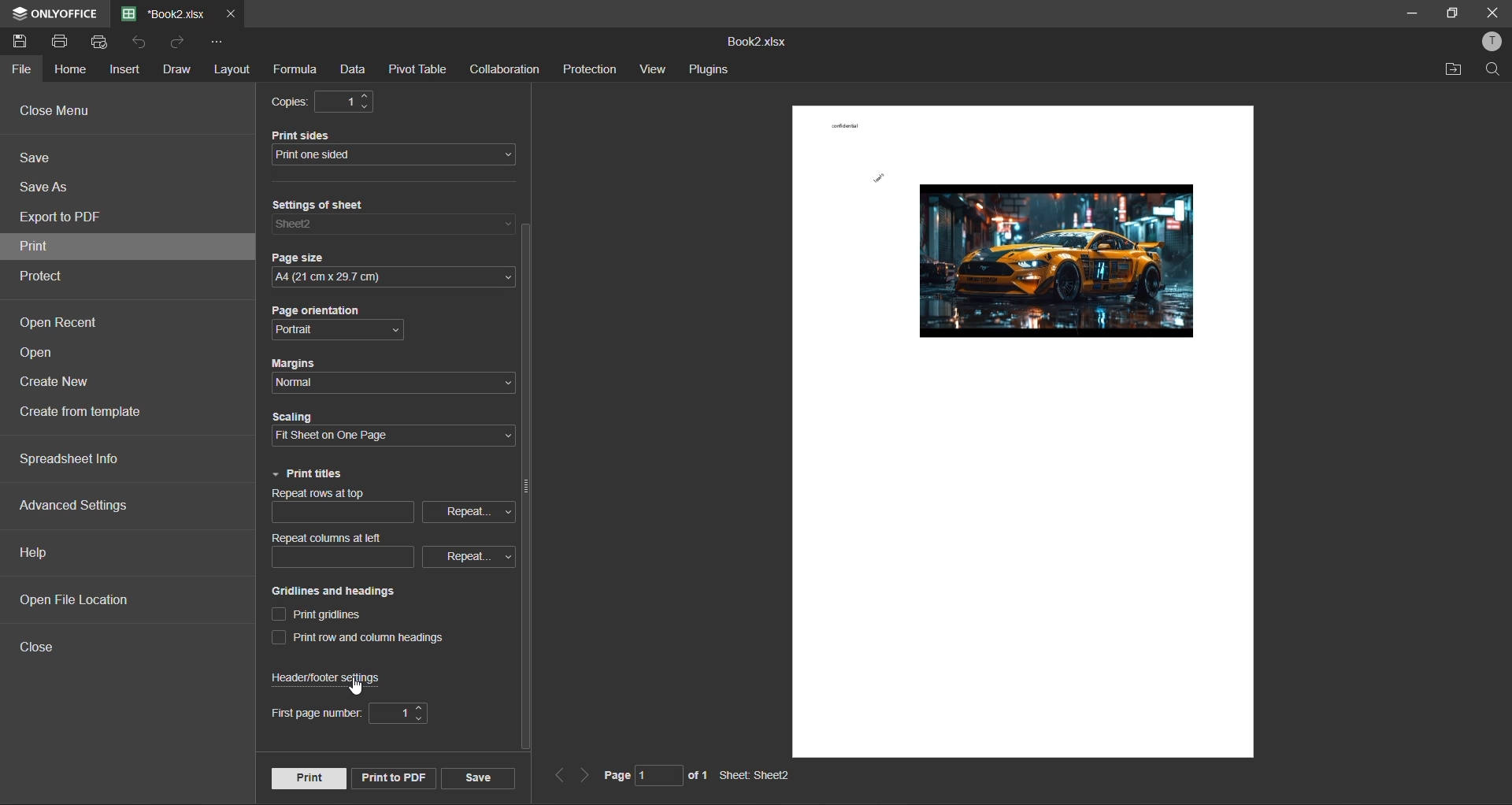 This screenshot has height=805, width=1512. I want to click on margins, so click(391, 383).